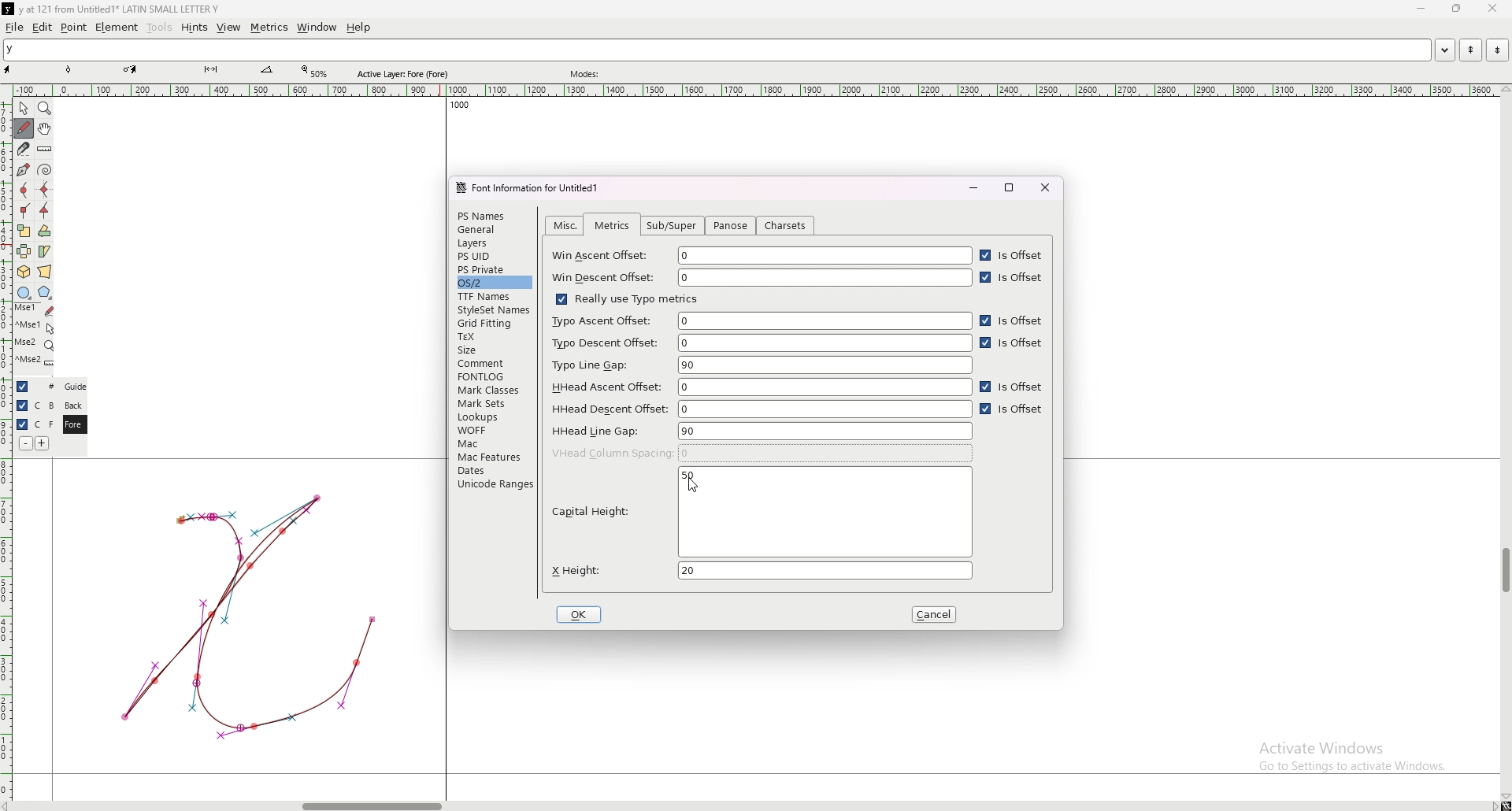 Image resolution: width=1512 pixels, height=811 pixels. I want to click on guide, so click(75, 387).